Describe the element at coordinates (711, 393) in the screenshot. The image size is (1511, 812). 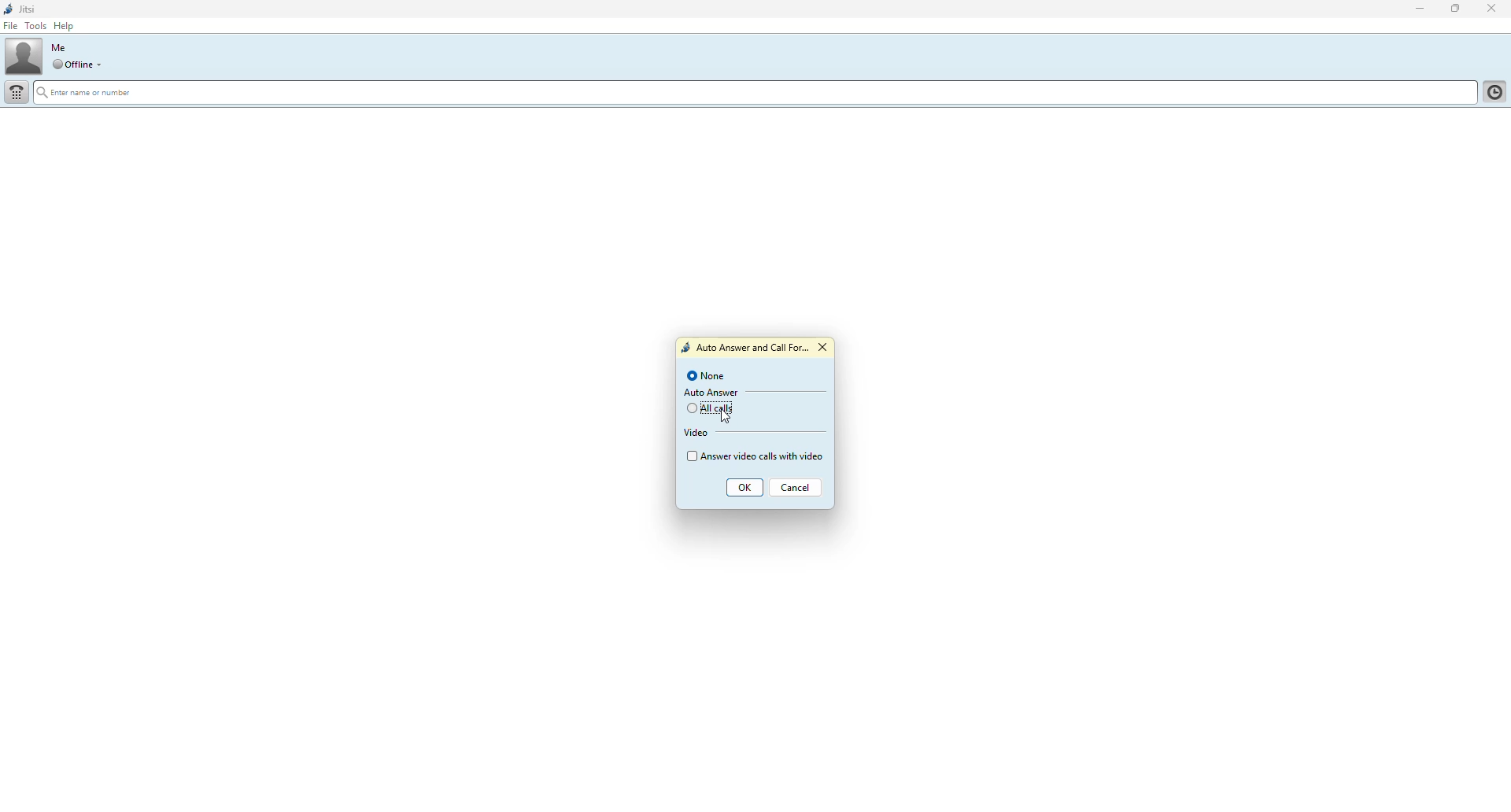
I see `auto answer` at that location.